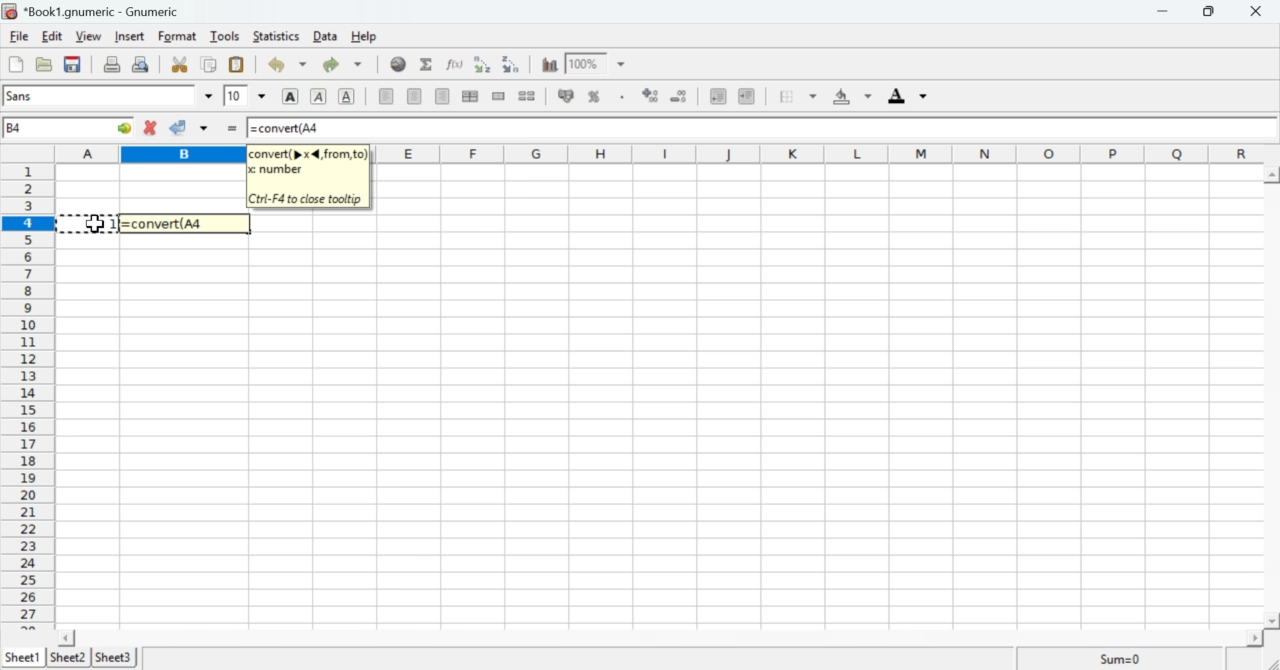 The width and height of the screenshot is (1280, 670). I want to click on Sort into ascending, so click(484, 65).